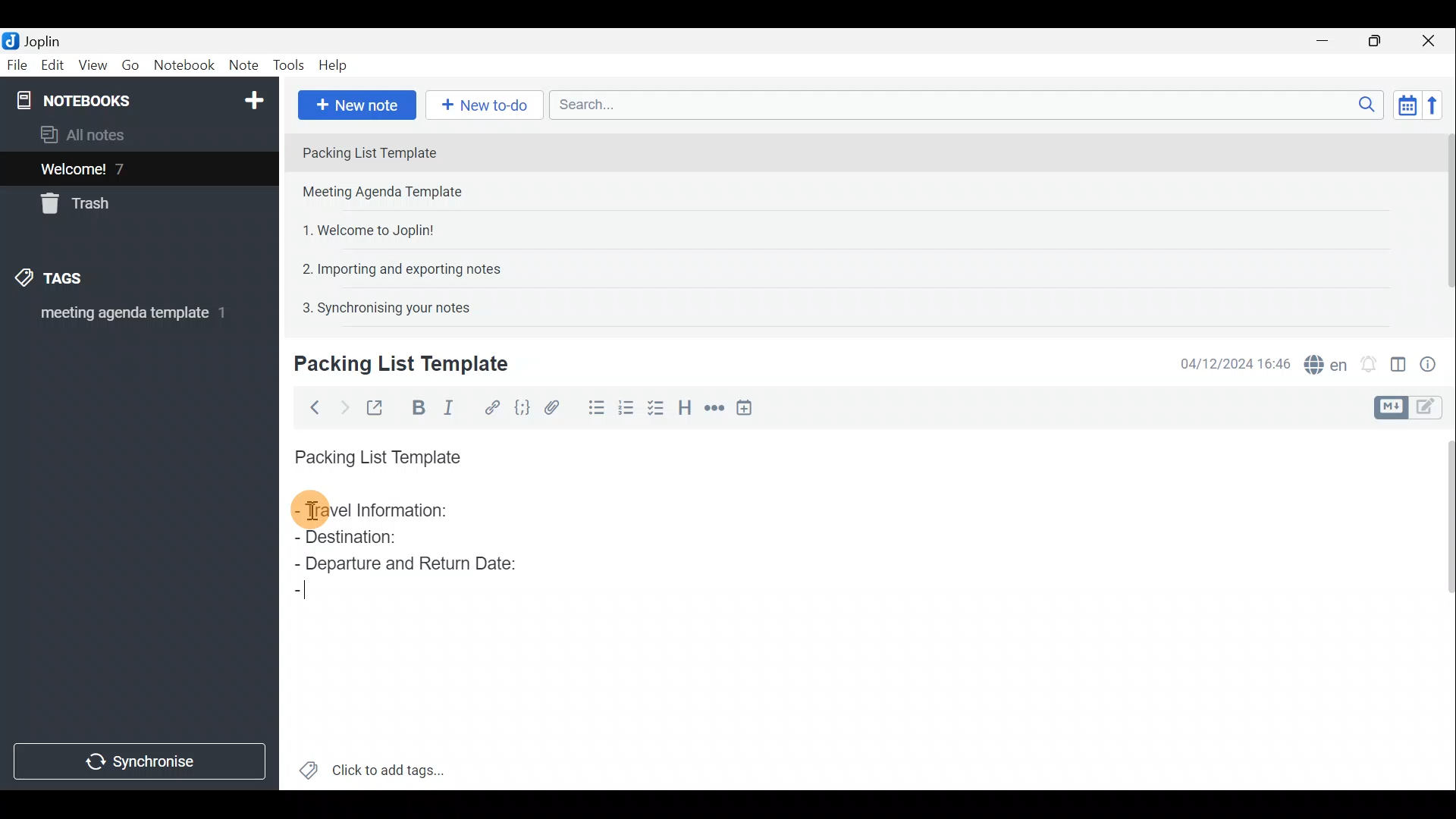 The image size is (1456, 819). I want to click on Numbered list, so click(630, 412).